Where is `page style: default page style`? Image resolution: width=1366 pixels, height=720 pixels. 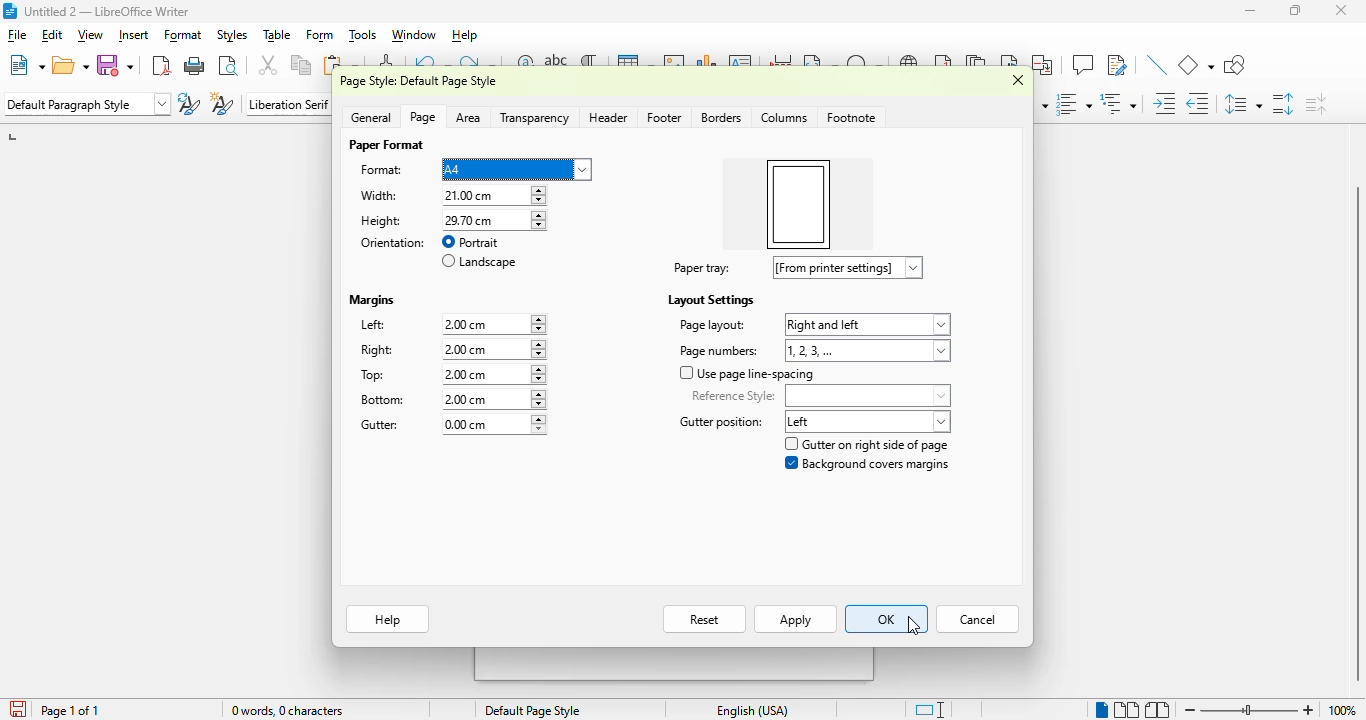
page style: default page style is located at coordinates (418, 81).